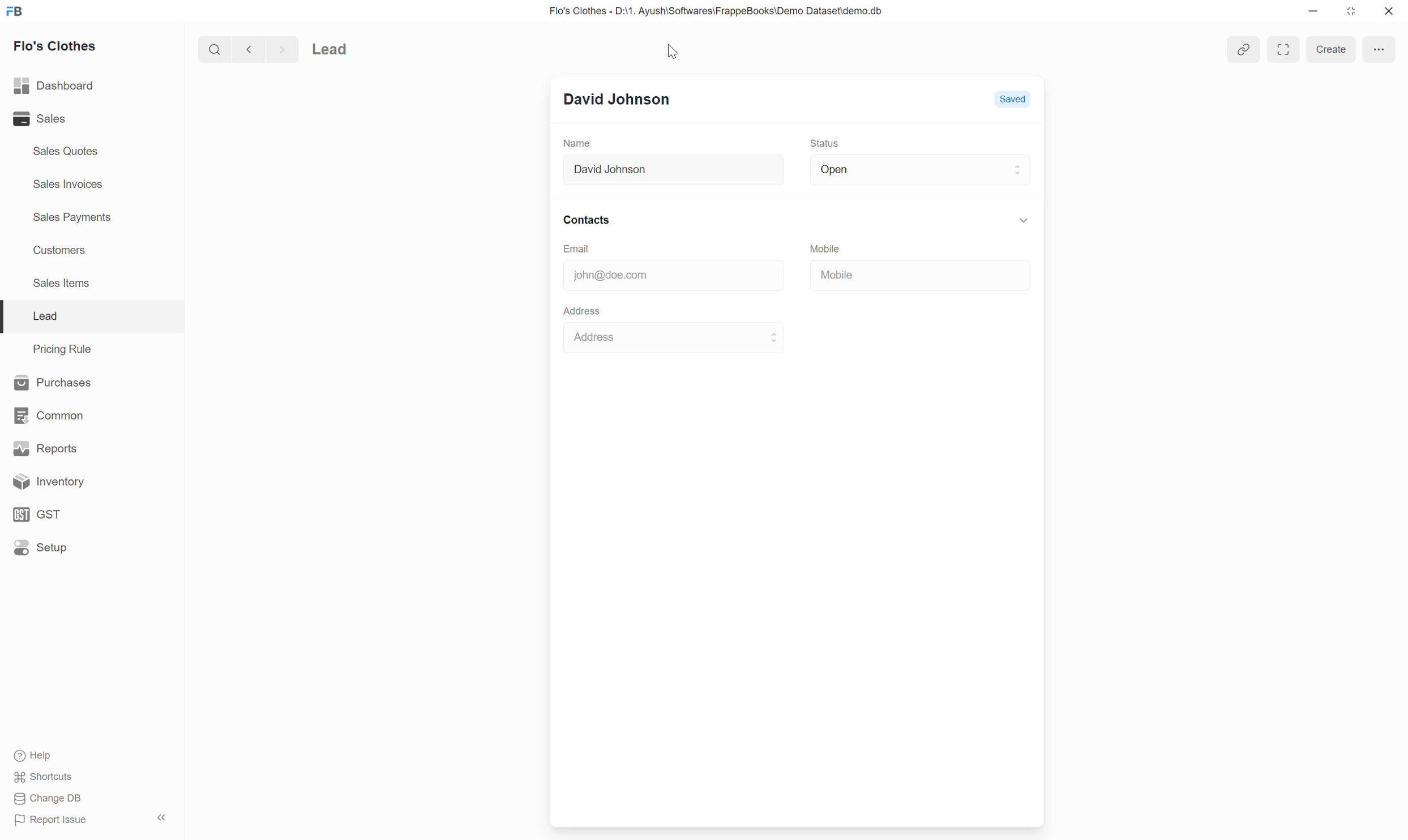  What do you see at coordinates (1015, 98) in the screenshot?
I see `Saved` at bounding box center [1015, 98].